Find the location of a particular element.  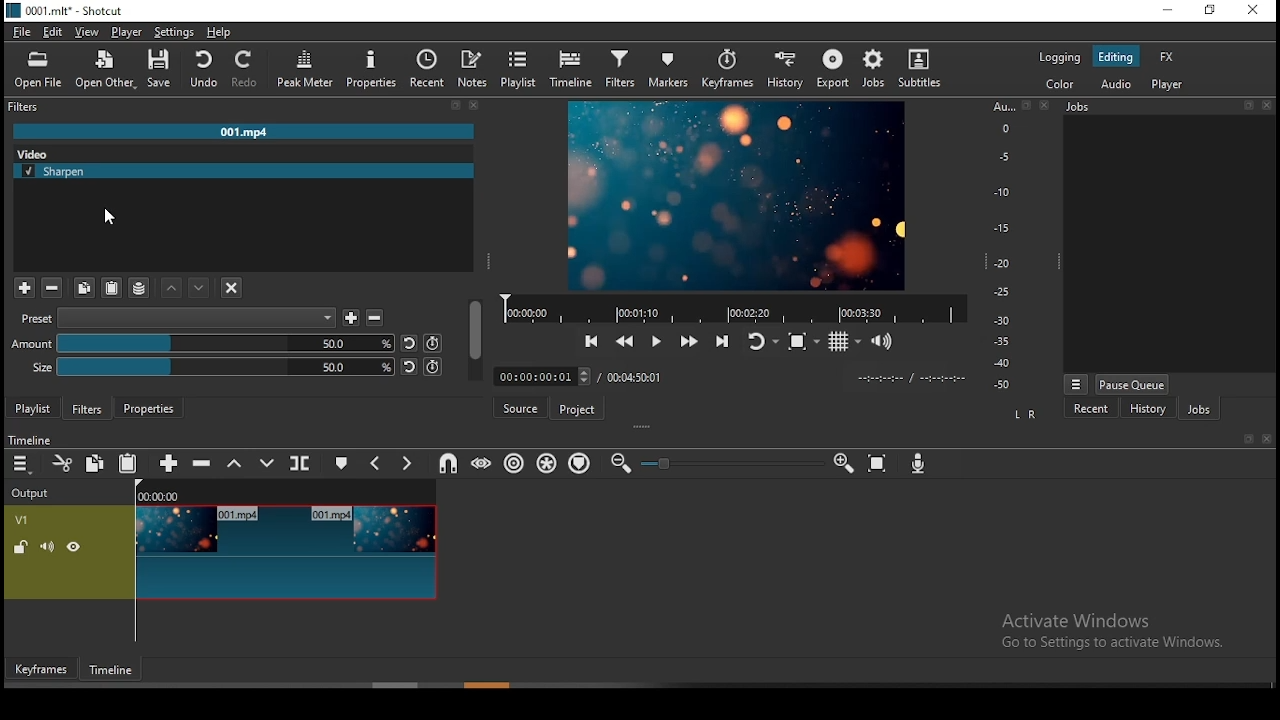

notes is located at coordinates (475, 68).